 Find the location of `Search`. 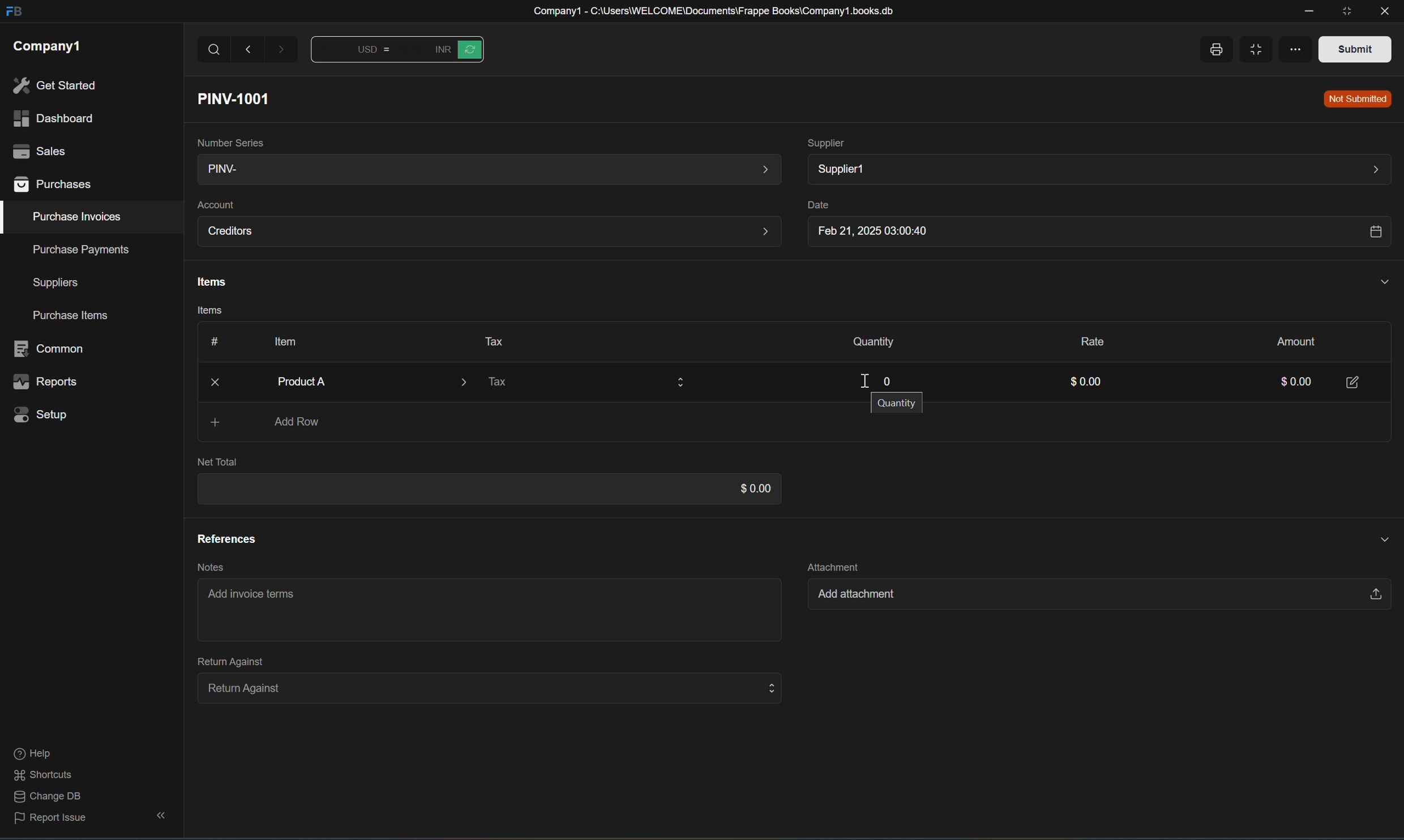

Search is located at coordinates (214, 50).